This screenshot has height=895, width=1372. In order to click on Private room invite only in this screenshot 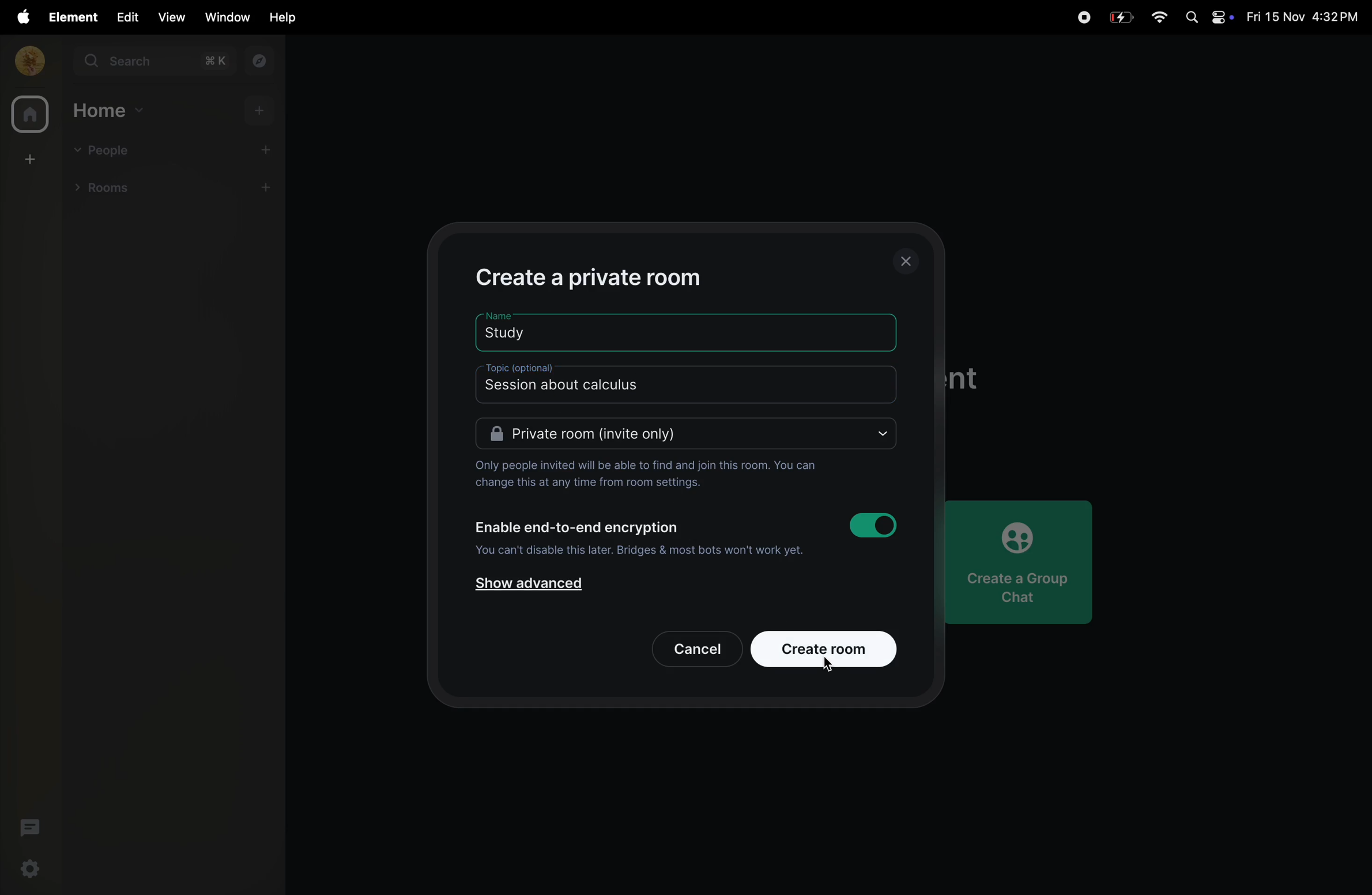, I will do `click(687, 435)`.